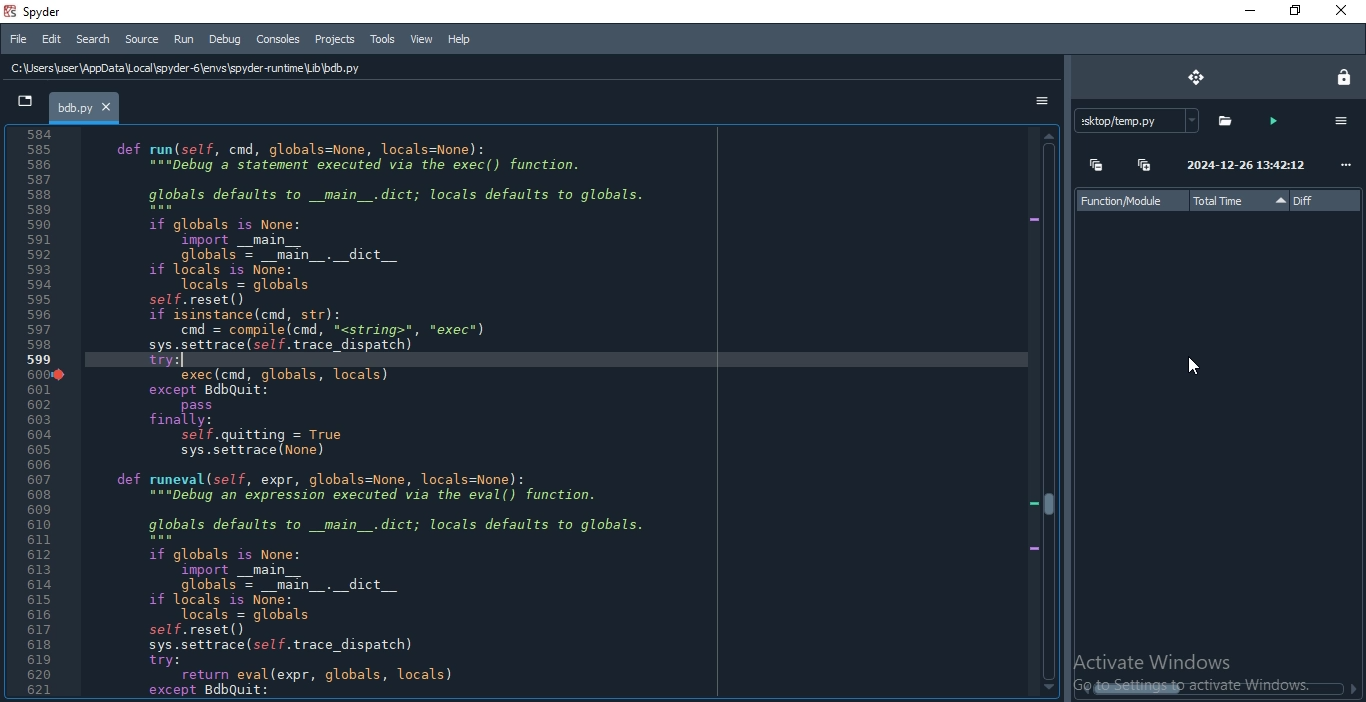  Describe the element at coordinates (1219, 690) in the screenshot. I see `scroll bar` at that location.